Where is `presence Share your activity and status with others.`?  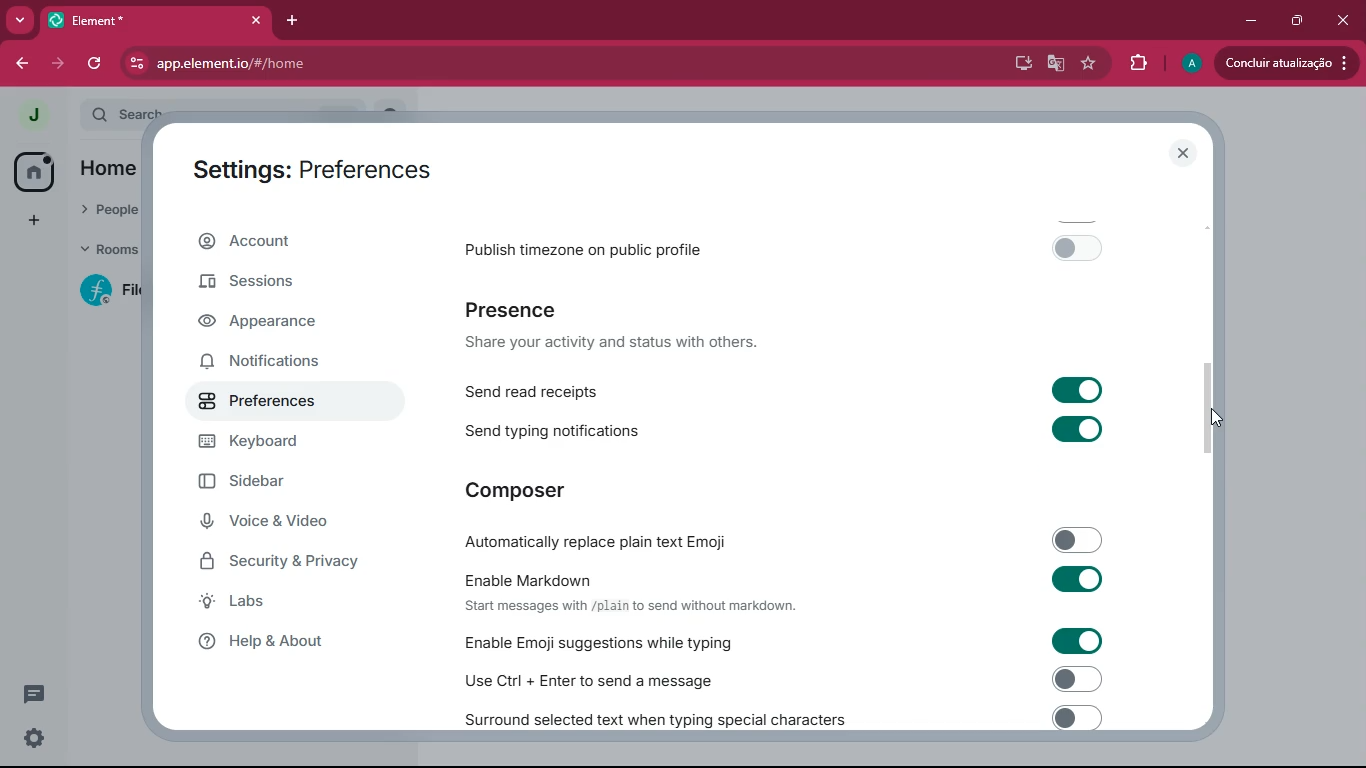
presence Share your activity and status with others. is located at coordinates (624, 326).